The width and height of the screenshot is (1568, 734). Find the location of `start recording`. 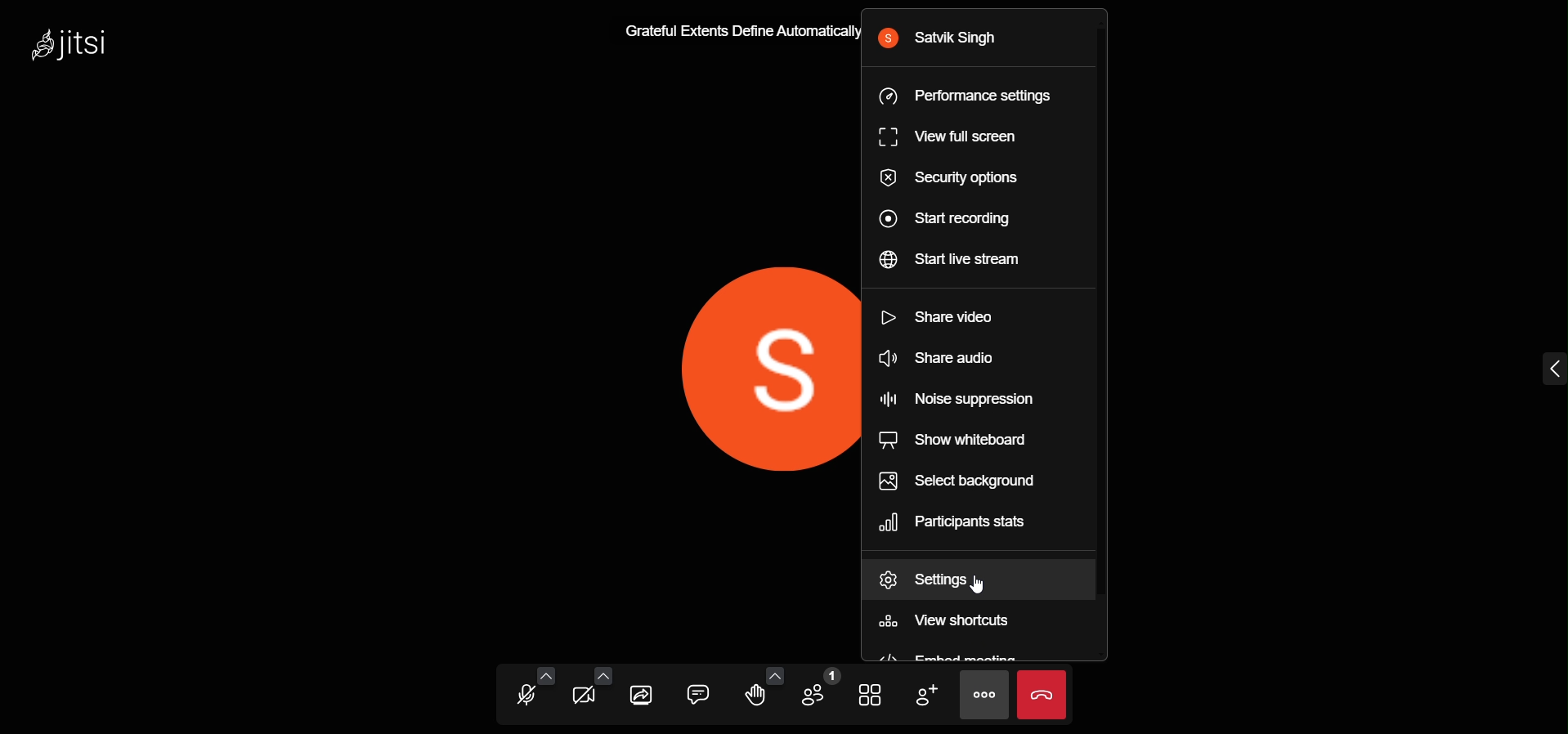

start recording is located at coordinates (951, 218).